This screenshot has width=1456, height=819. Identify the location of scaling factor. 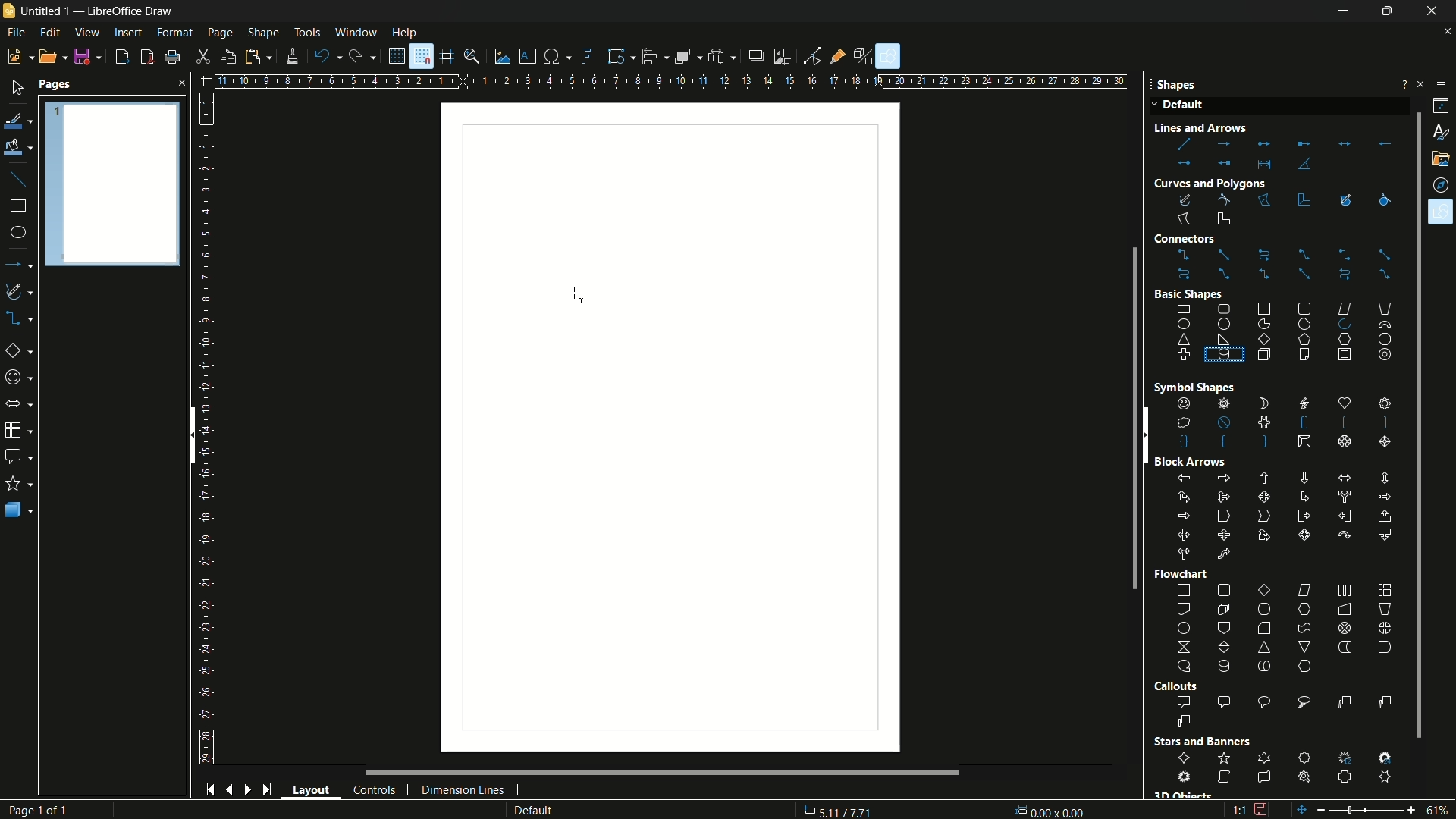
(1238, 812).